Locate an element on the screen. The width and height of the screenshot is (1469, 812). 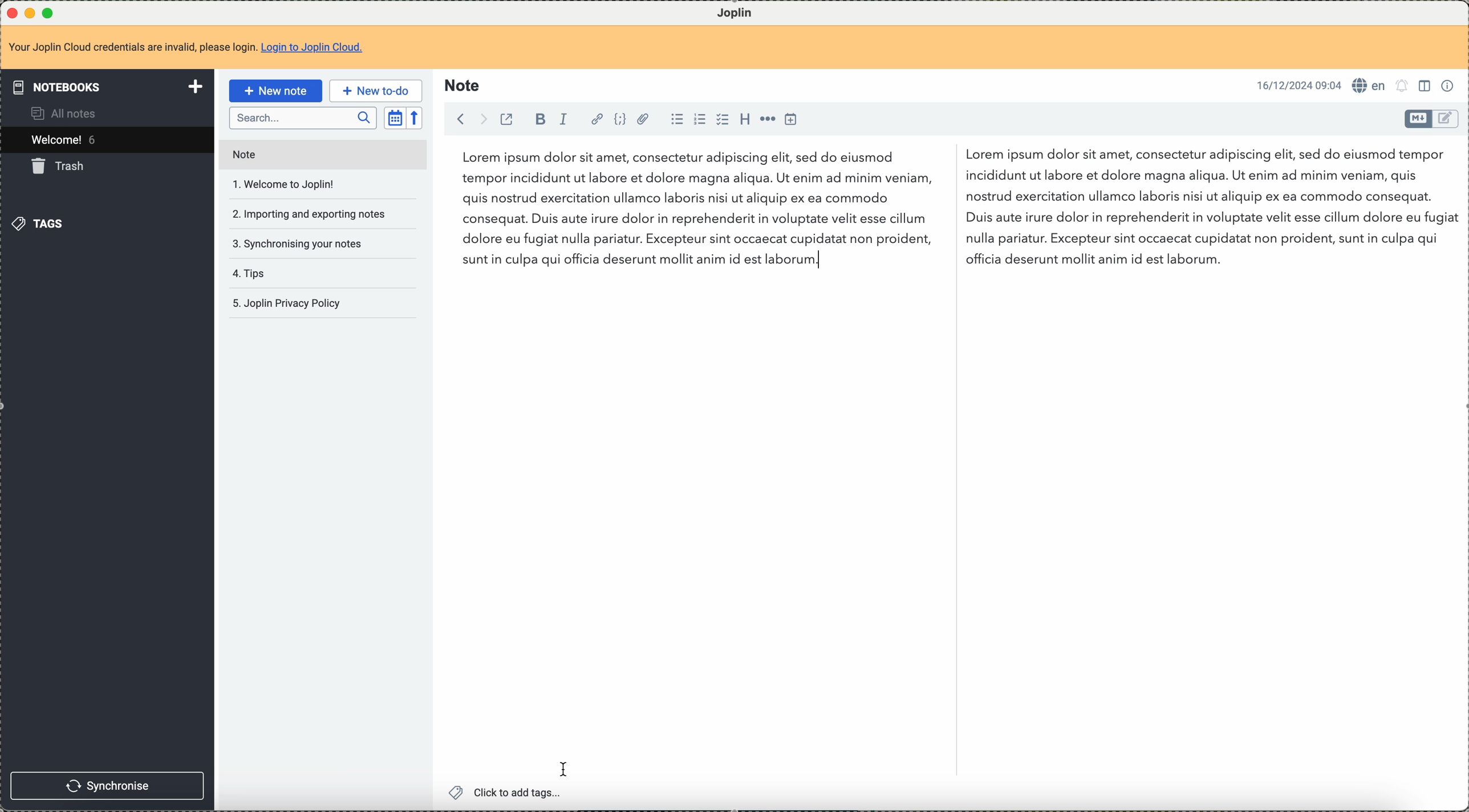
back is located at coordinates (458, 119).